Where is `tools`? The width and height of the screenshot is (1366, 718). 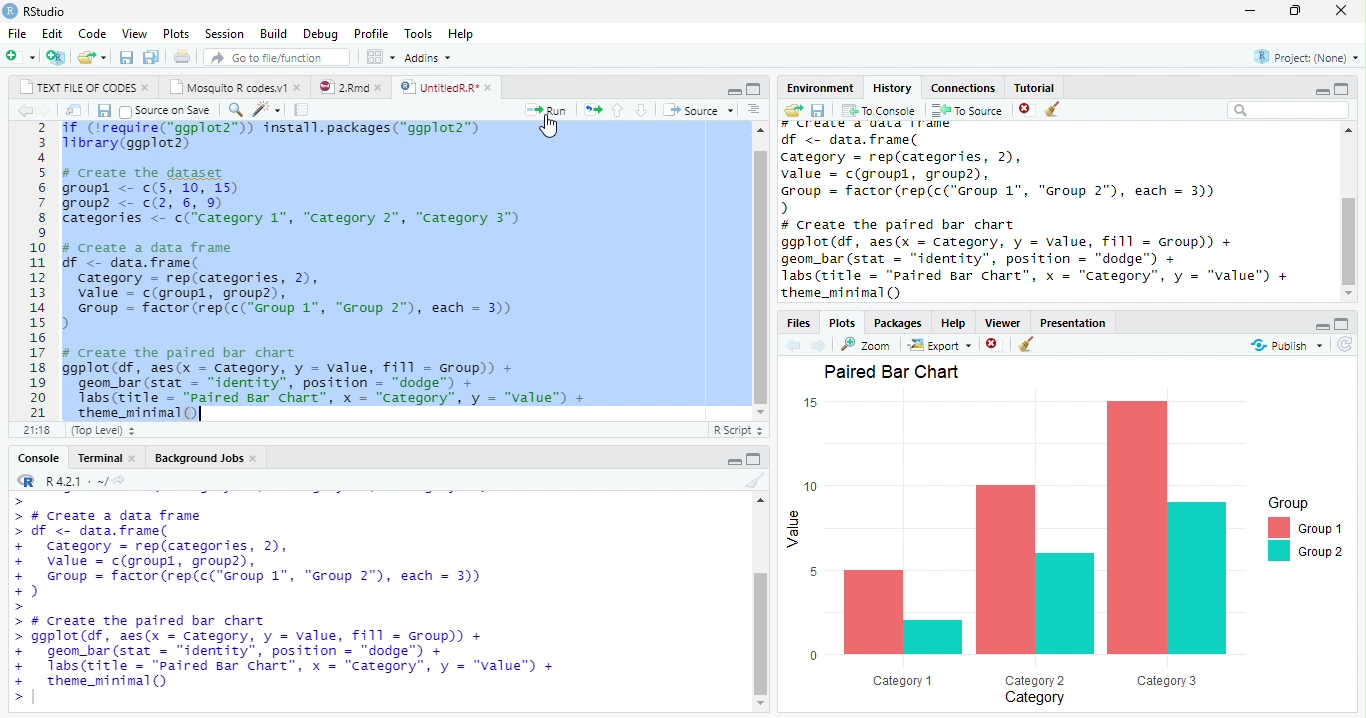
tools is located at coordinates (415, 33).